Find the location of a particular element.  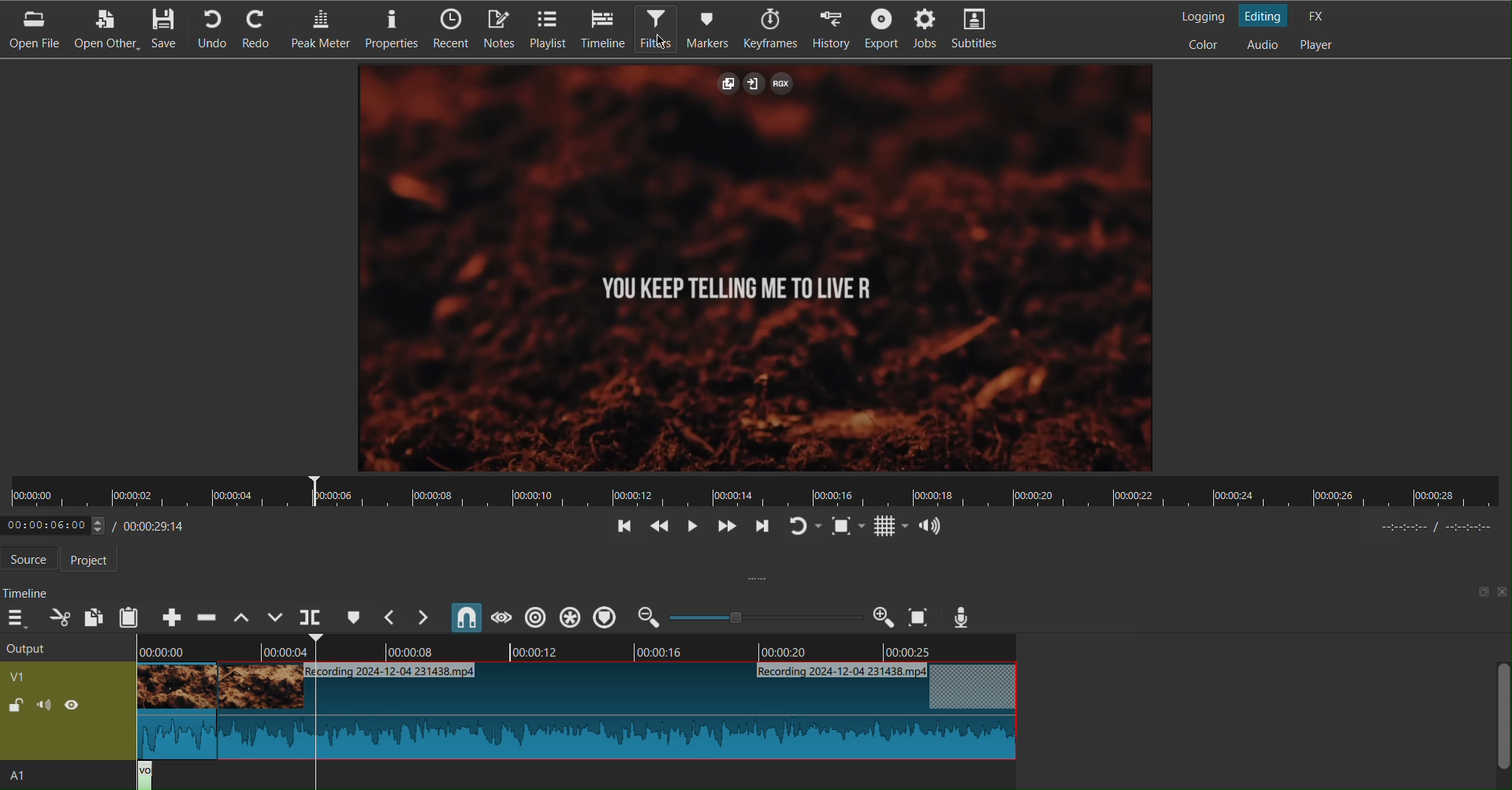

Clip View is located at coordinates (760, 267).